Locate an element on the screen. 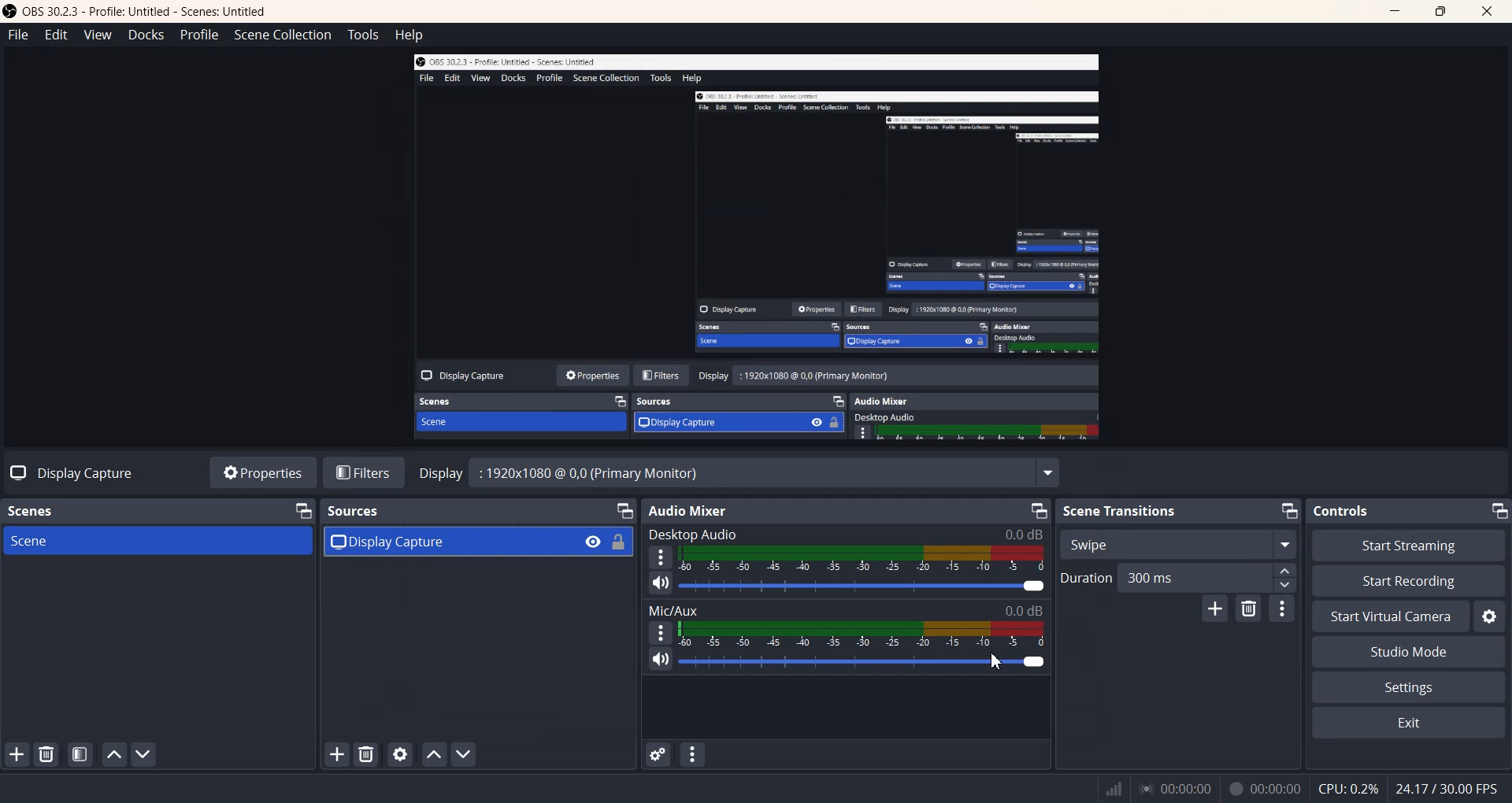 The width and height of the screenshot is (1512, 803). Display is located at coordinates (441, 474).